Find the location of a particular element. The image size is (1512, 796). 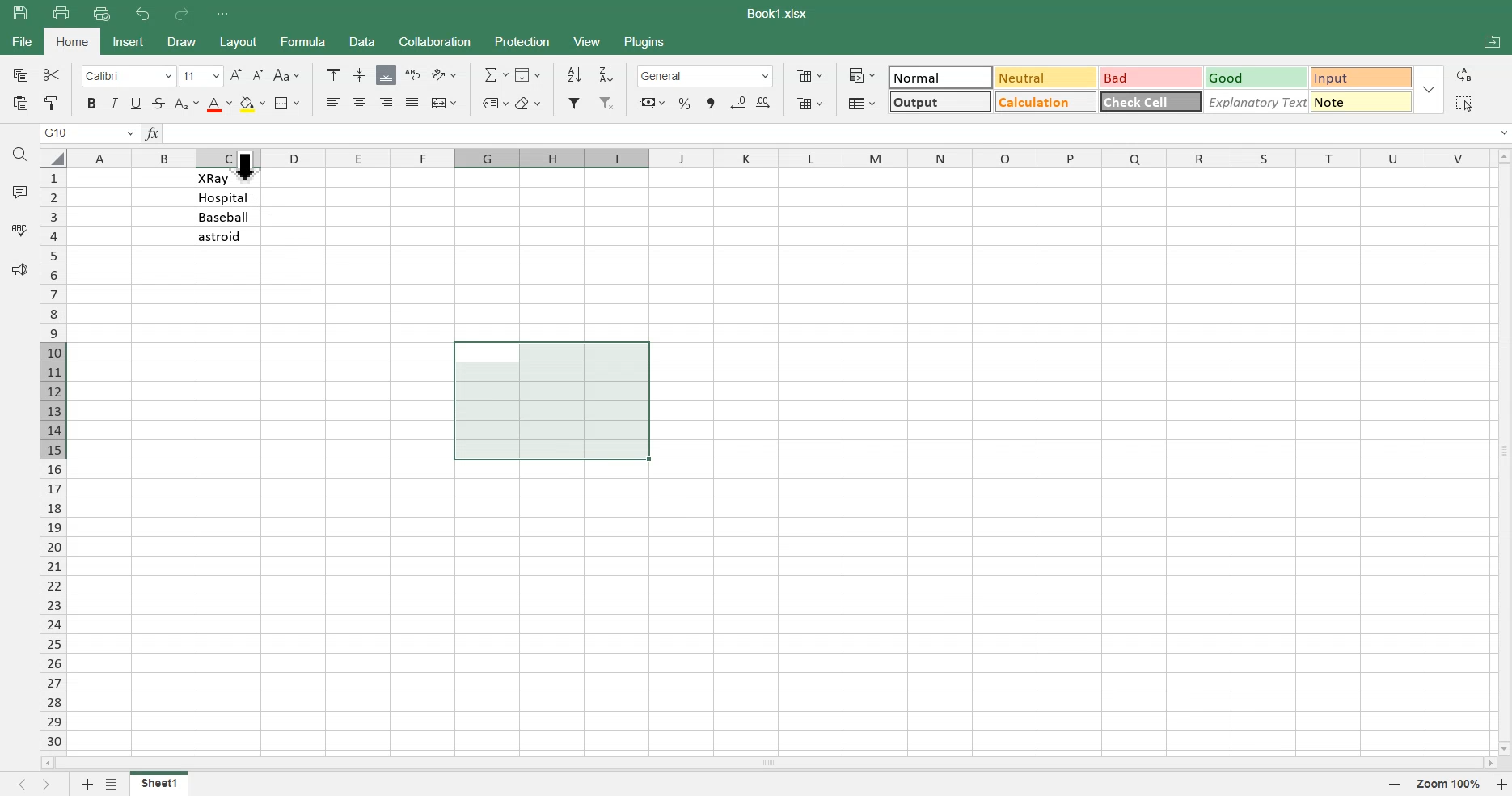

Decrease Font Size is located at coordinates (258, 75).